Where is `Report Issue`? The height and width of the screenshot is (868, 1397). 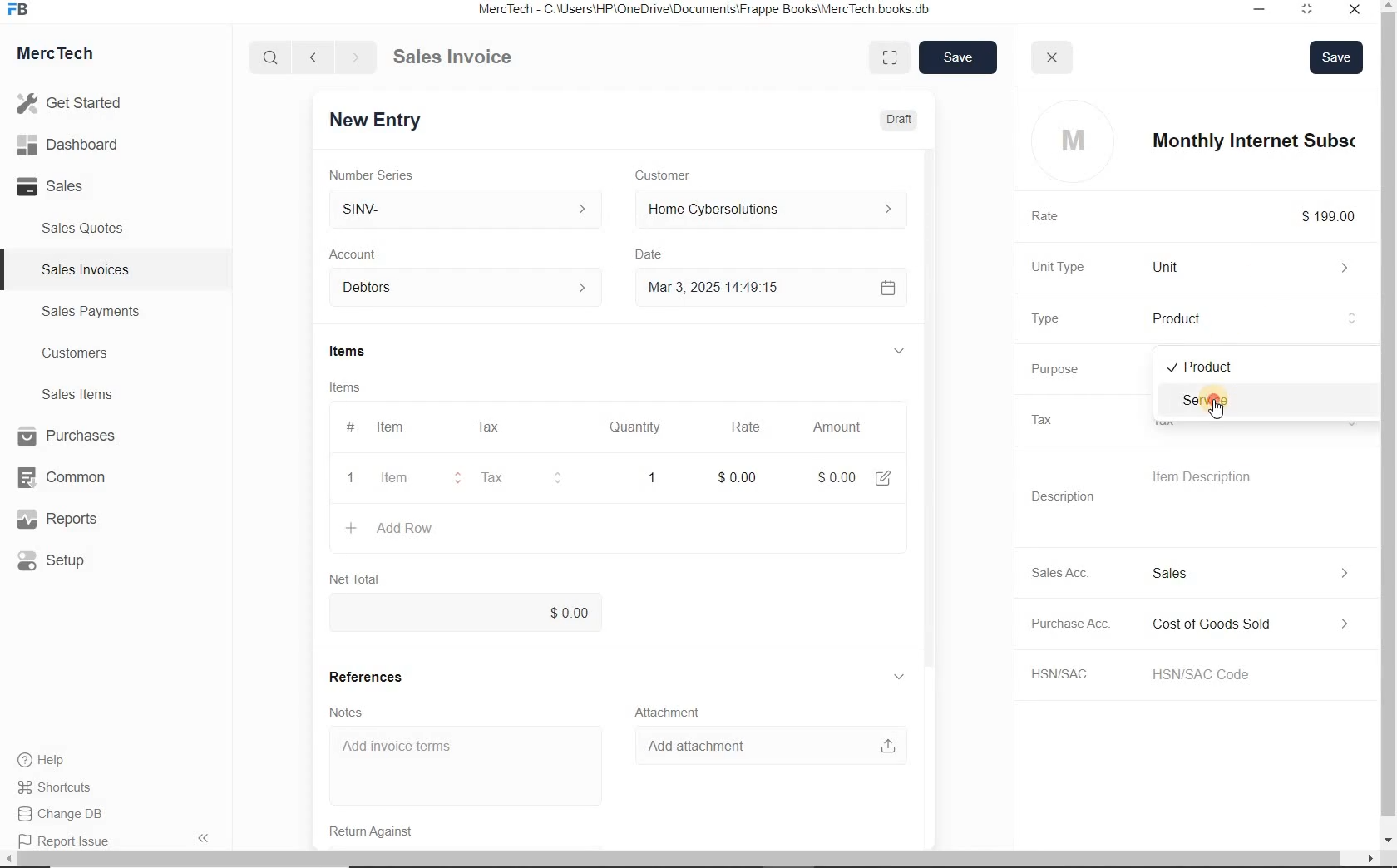
Report Issue is located at coordinates (67, 842).